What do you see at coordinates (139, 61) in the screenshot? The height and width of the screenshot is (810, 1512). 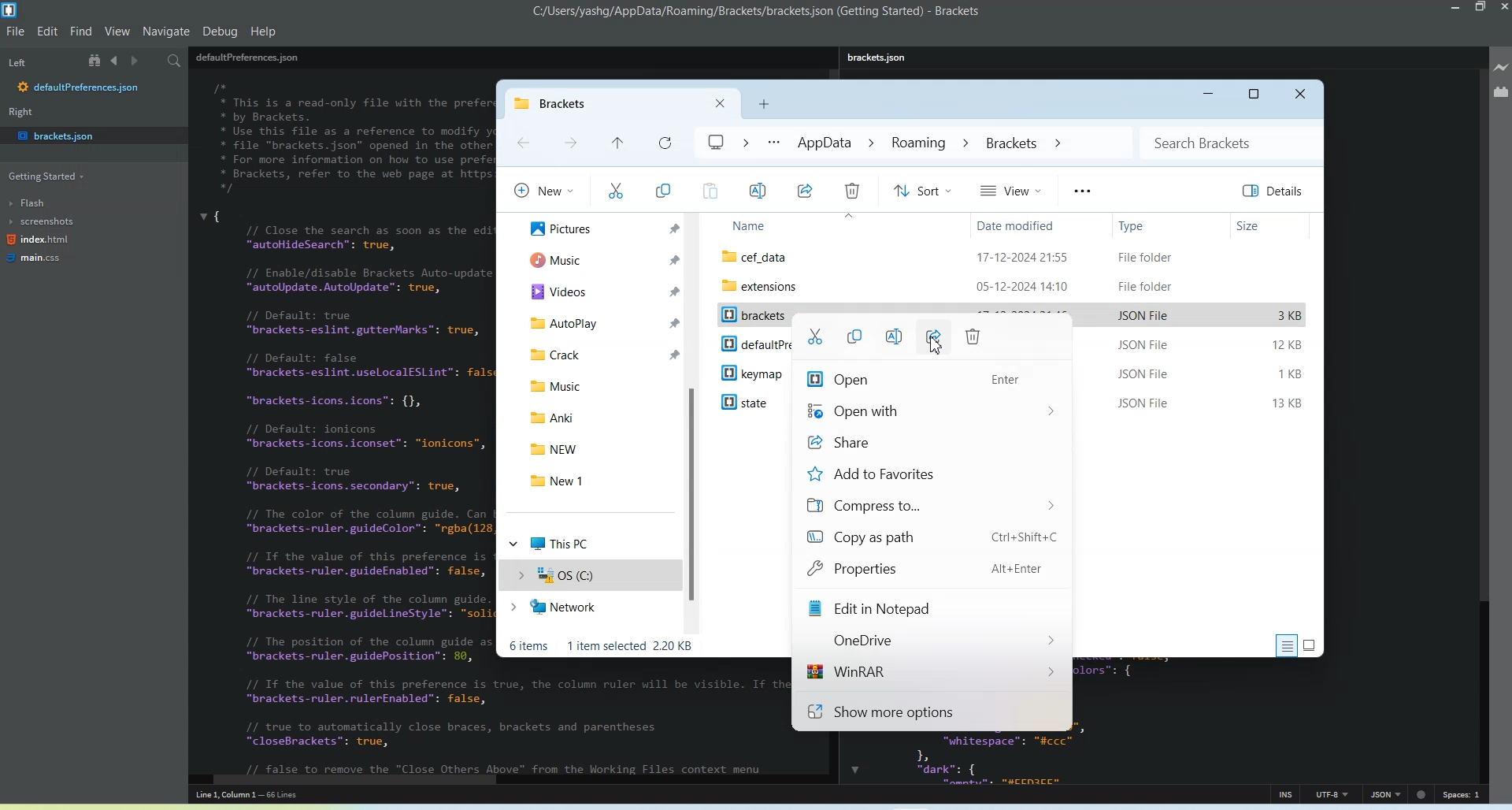 I see `Navigate Forwards` at bounding box center [139, 61].